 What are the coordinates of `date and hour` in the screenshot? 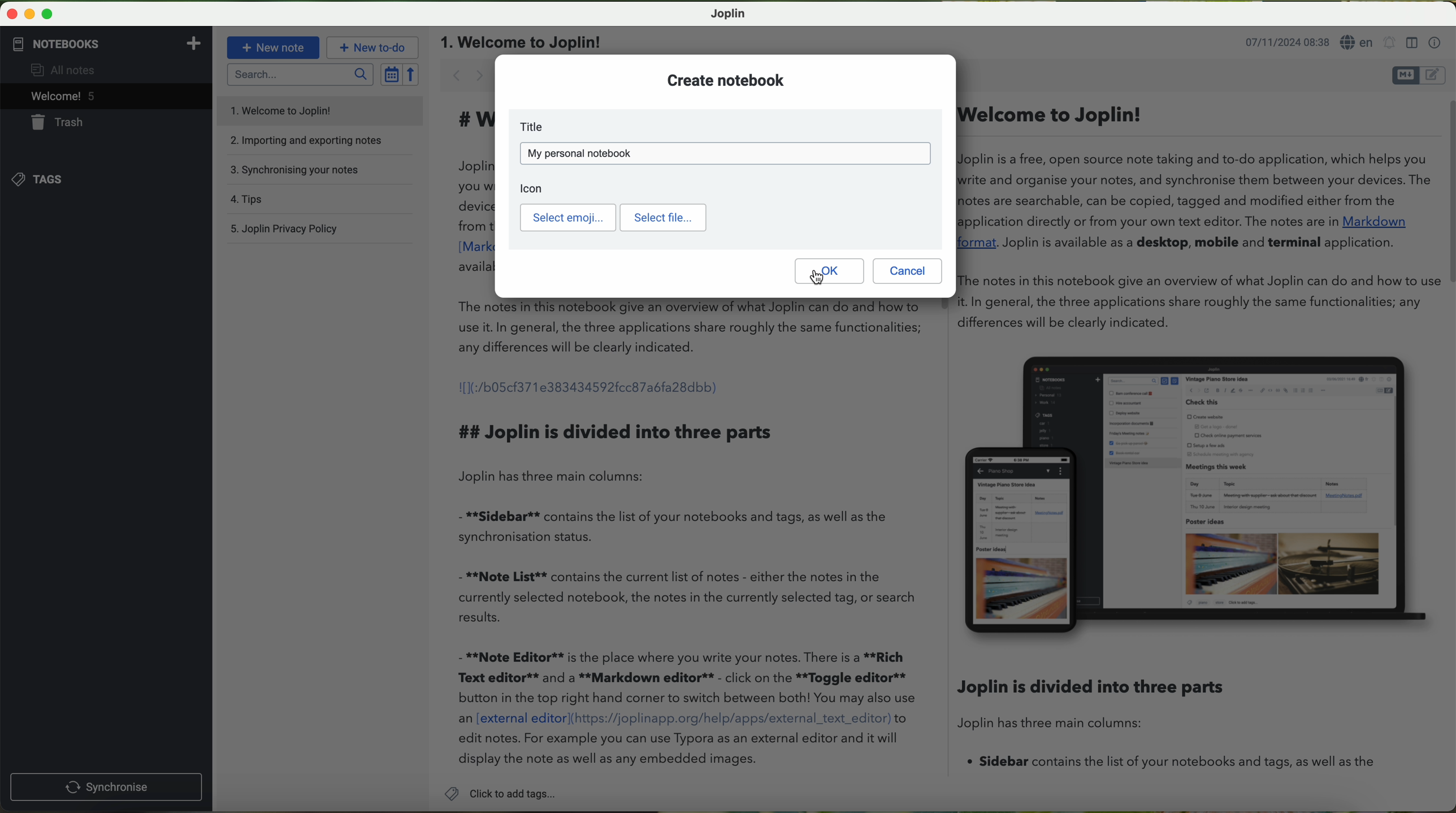 It's located at (1285, 44).